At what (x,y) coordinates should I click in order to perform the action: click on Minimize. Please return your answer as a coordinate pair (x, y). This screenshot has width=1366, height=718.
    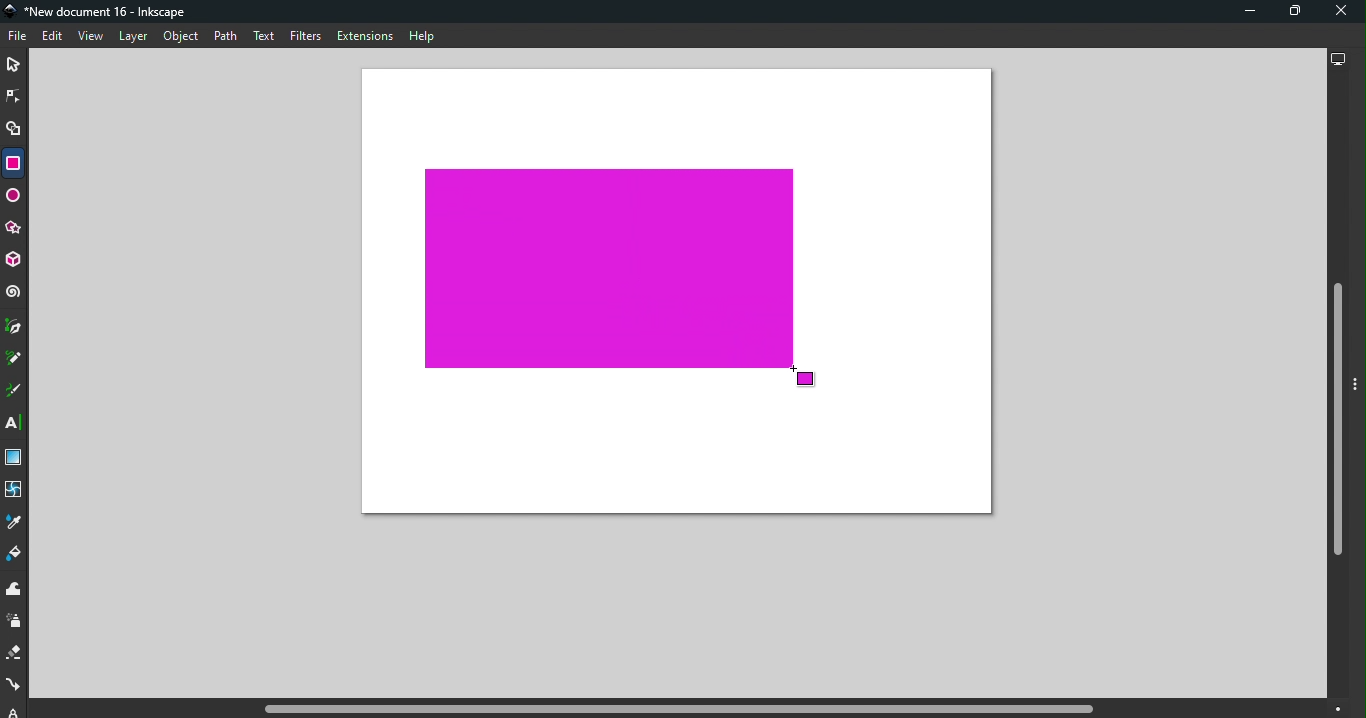
    Looking at the image, I should click on (1247, 11).